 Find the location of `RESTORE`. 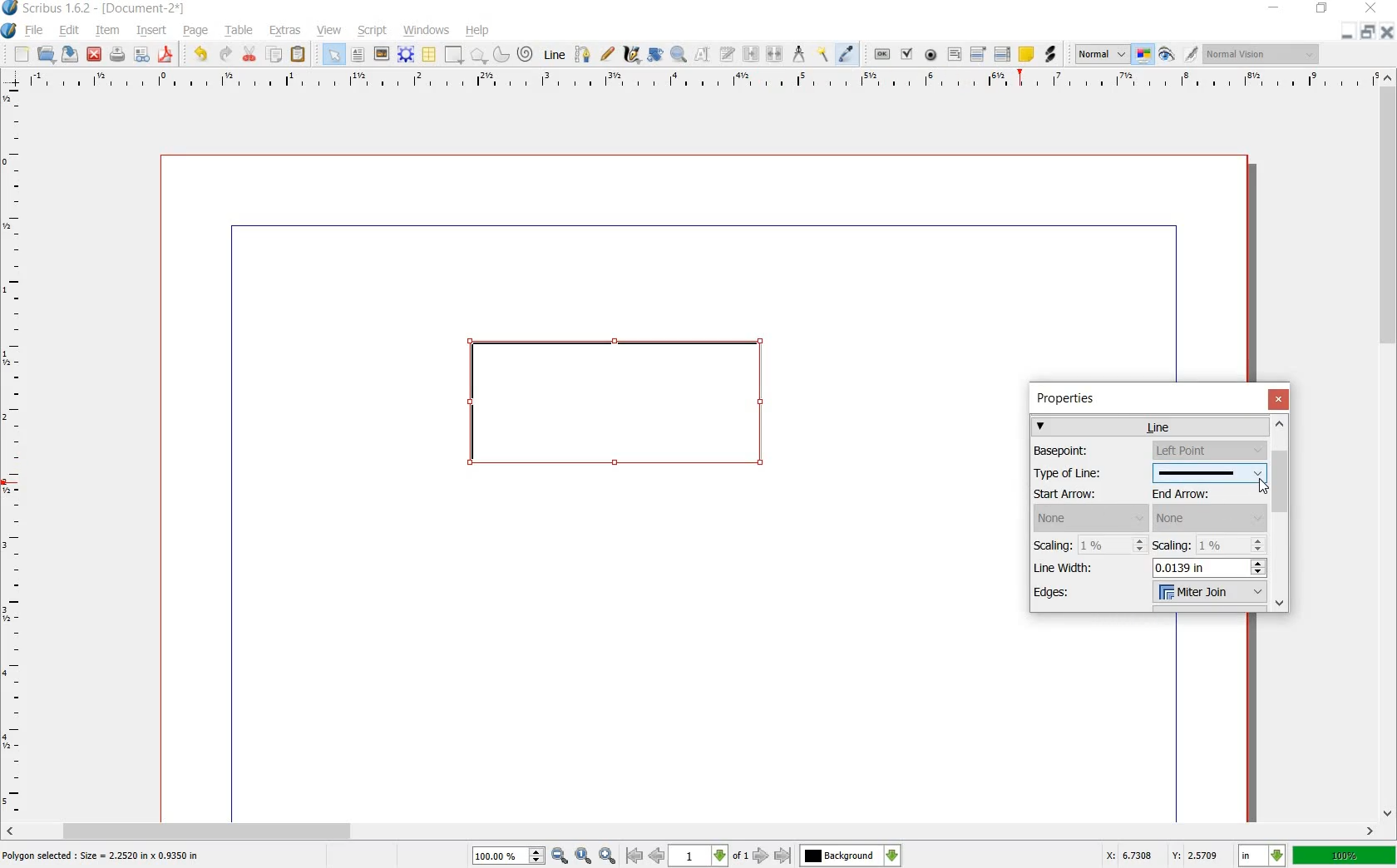

RESTORE is located at coordinates (1320, 11).